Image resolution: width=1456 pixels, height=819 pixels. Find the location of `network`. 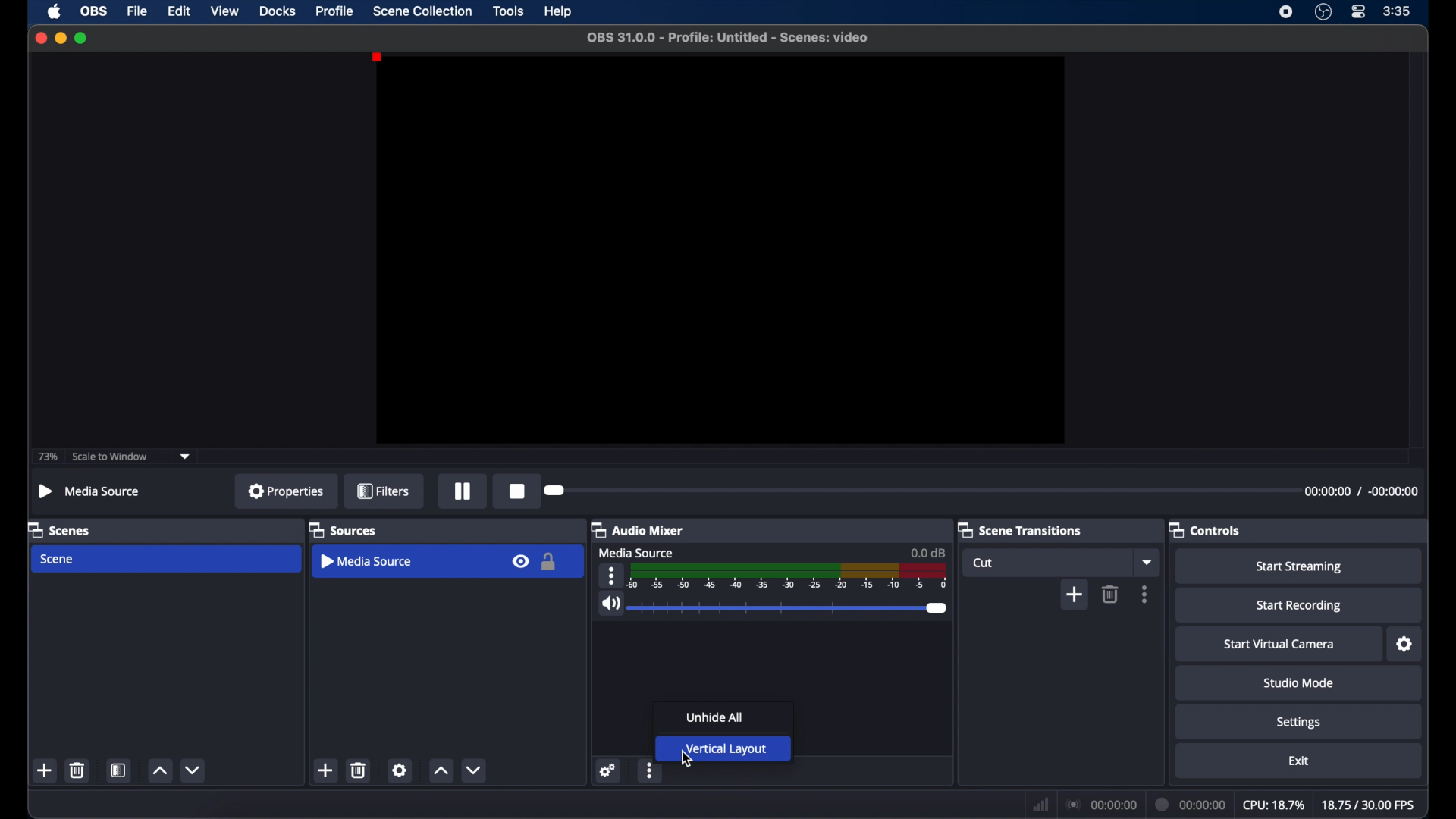

network is located at coordinates (1039, 803).